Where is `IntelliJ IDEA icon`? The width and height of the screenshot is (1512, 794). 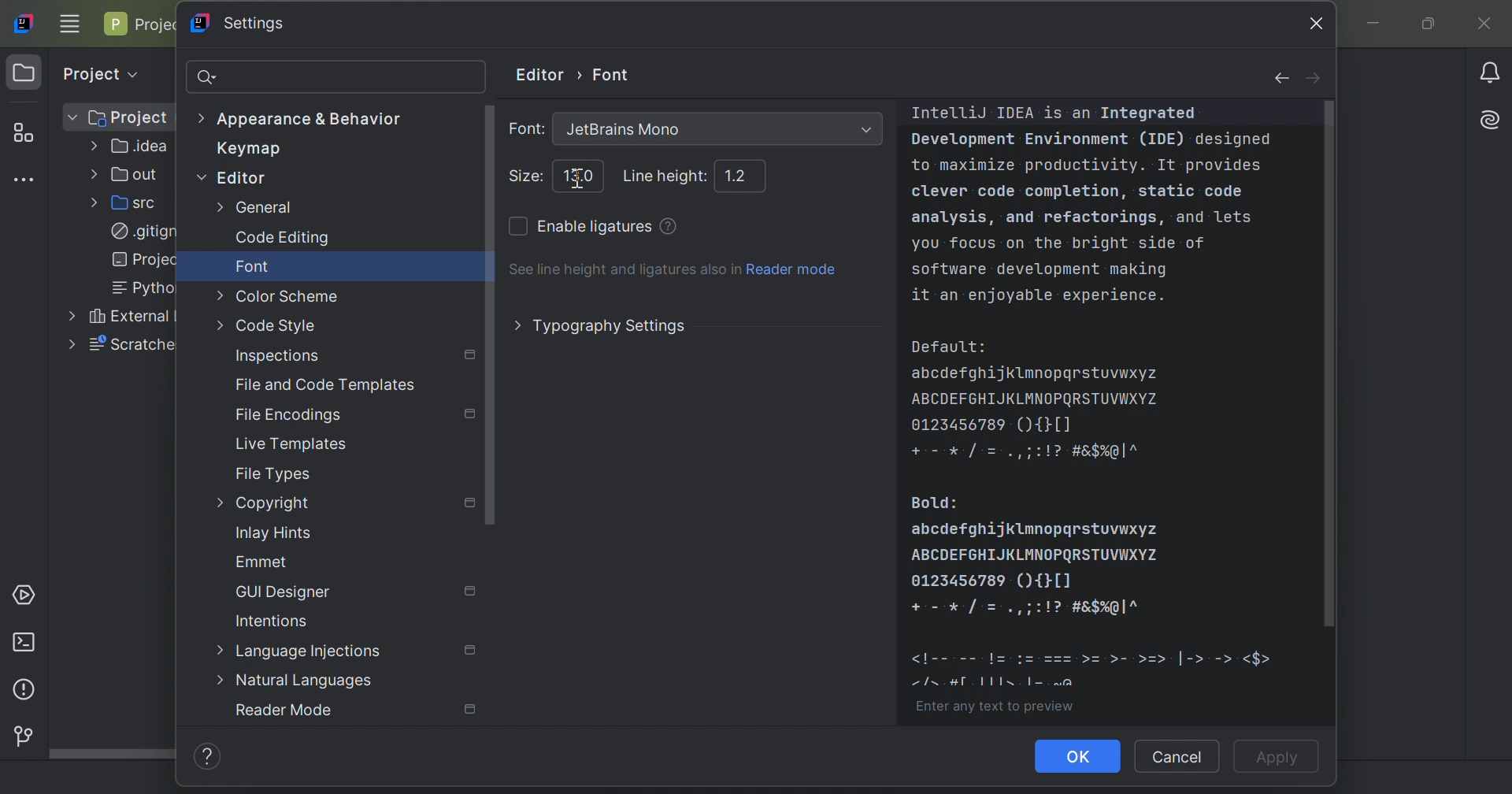
IntelliJ IDEA icon is located at coordinates (26, 22).